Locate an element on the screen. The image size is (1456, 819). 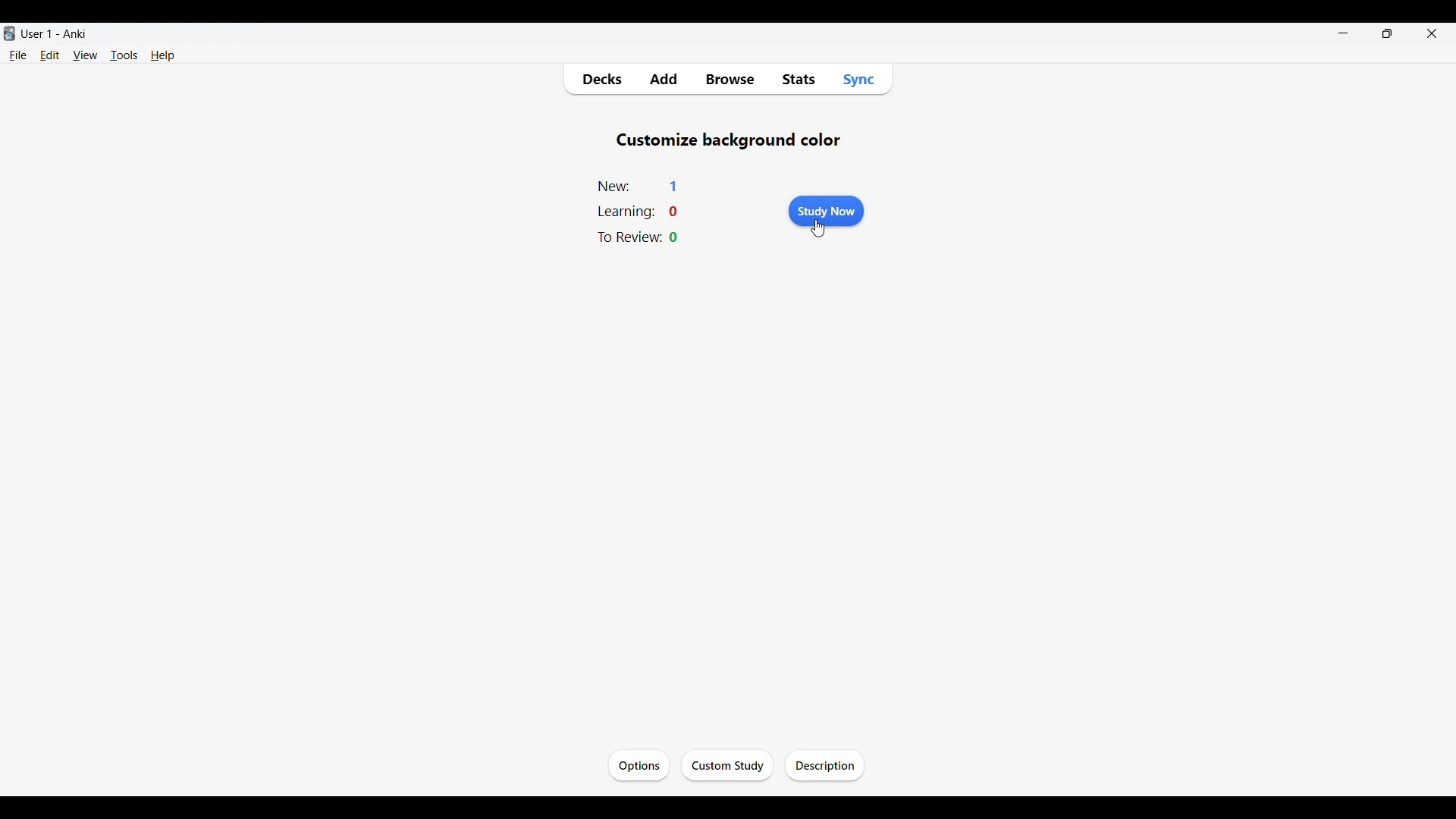
Help menu is located at coordinates (163, 55).